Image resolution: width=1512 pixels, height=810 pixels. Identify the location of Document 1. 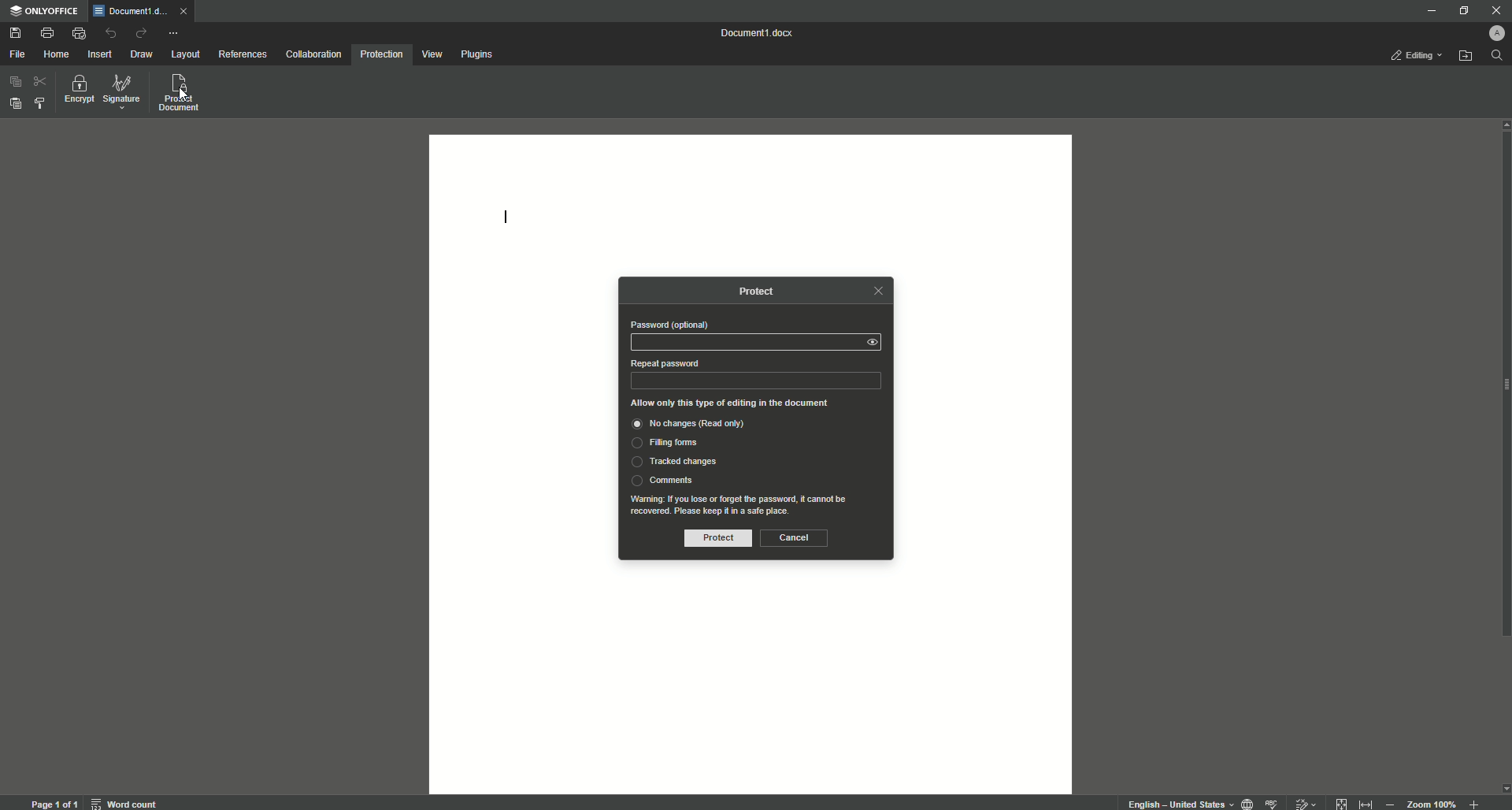
(760, 33).